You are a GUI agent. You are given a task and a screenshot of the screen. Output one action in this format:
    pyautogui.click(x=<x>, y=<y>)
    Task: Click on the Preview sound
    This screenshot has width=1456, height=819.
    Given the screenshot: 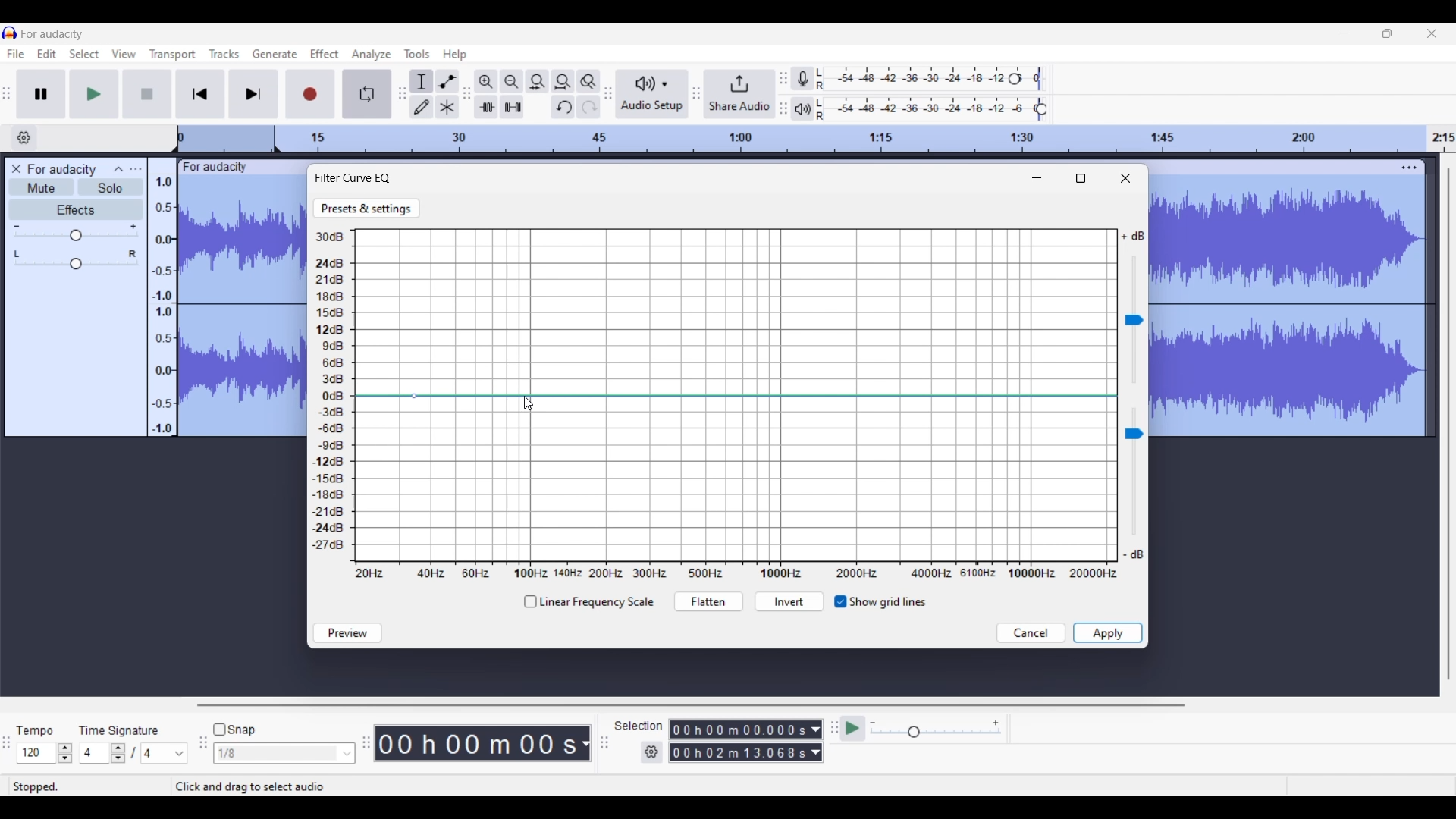 What is the action you would take?
    pyautogui.click(x=347, y=633)
    